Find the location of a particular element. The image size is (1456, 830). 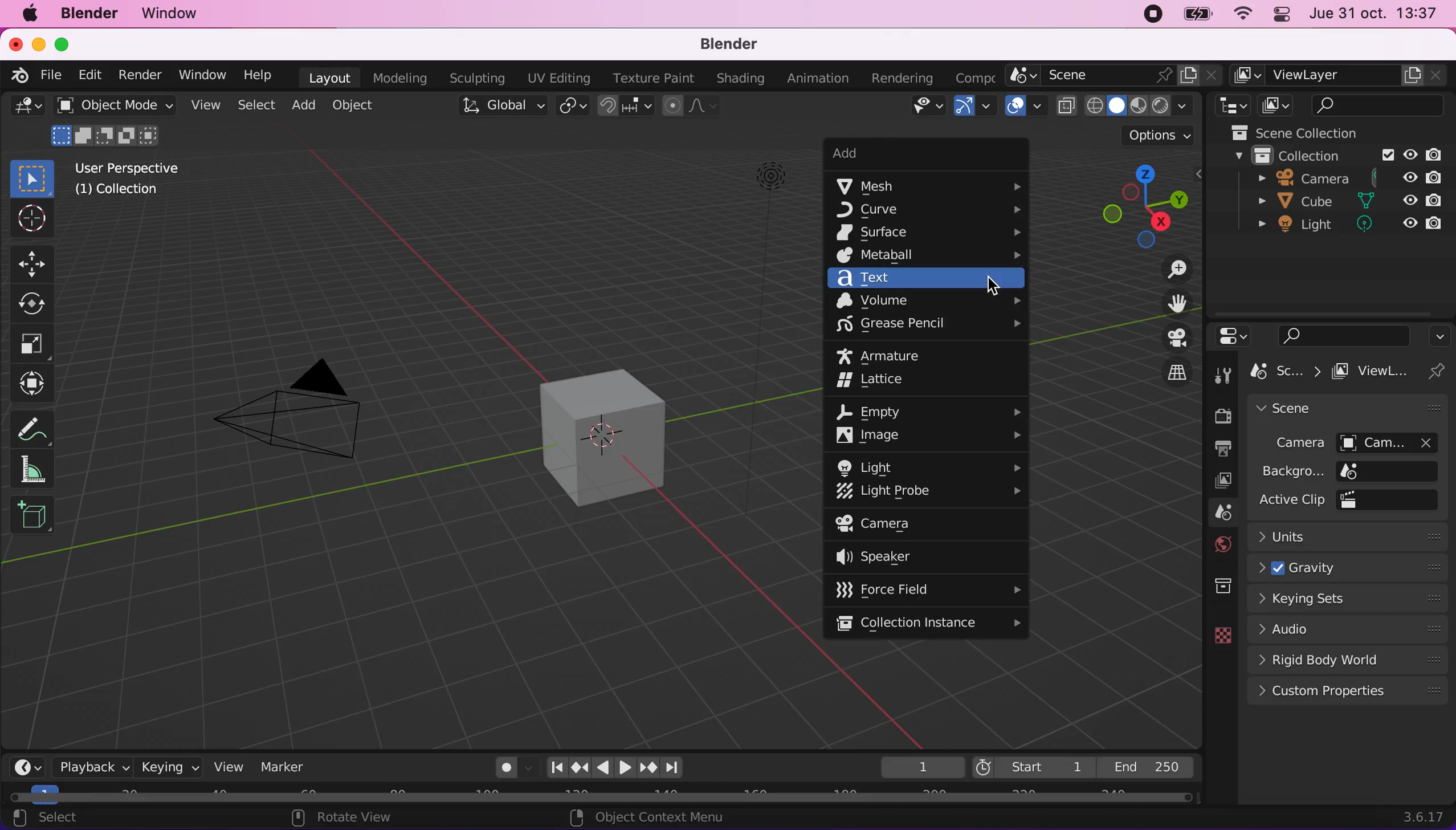

data is located at coordinates (1217, 634).